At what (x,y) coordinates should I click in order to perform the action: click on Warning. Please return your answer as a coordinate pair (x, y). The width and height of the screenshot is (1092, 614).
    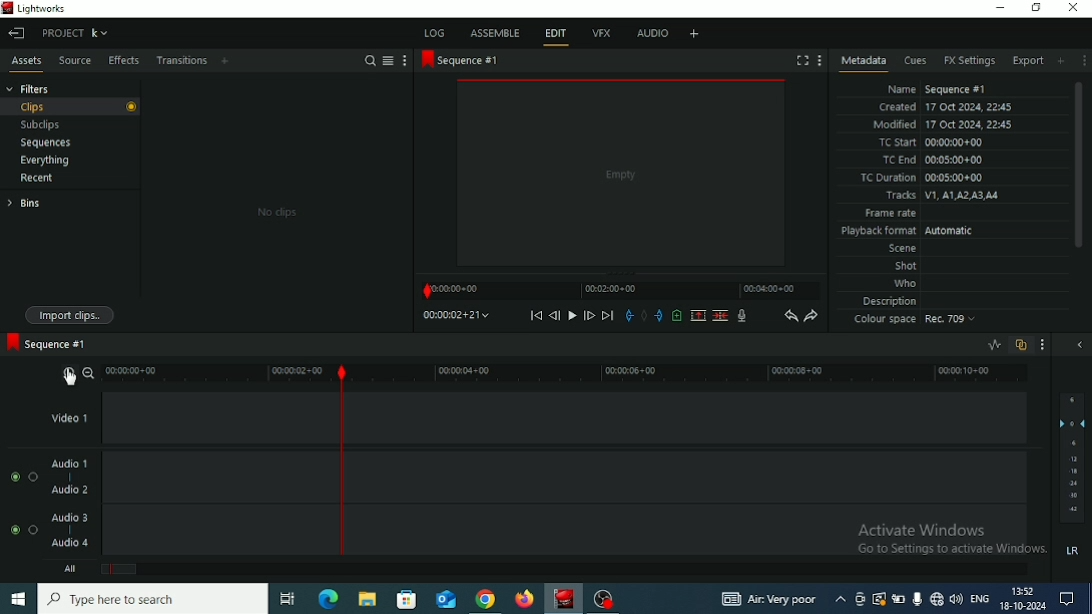
    Looking at the image, I should click on (878, 598).